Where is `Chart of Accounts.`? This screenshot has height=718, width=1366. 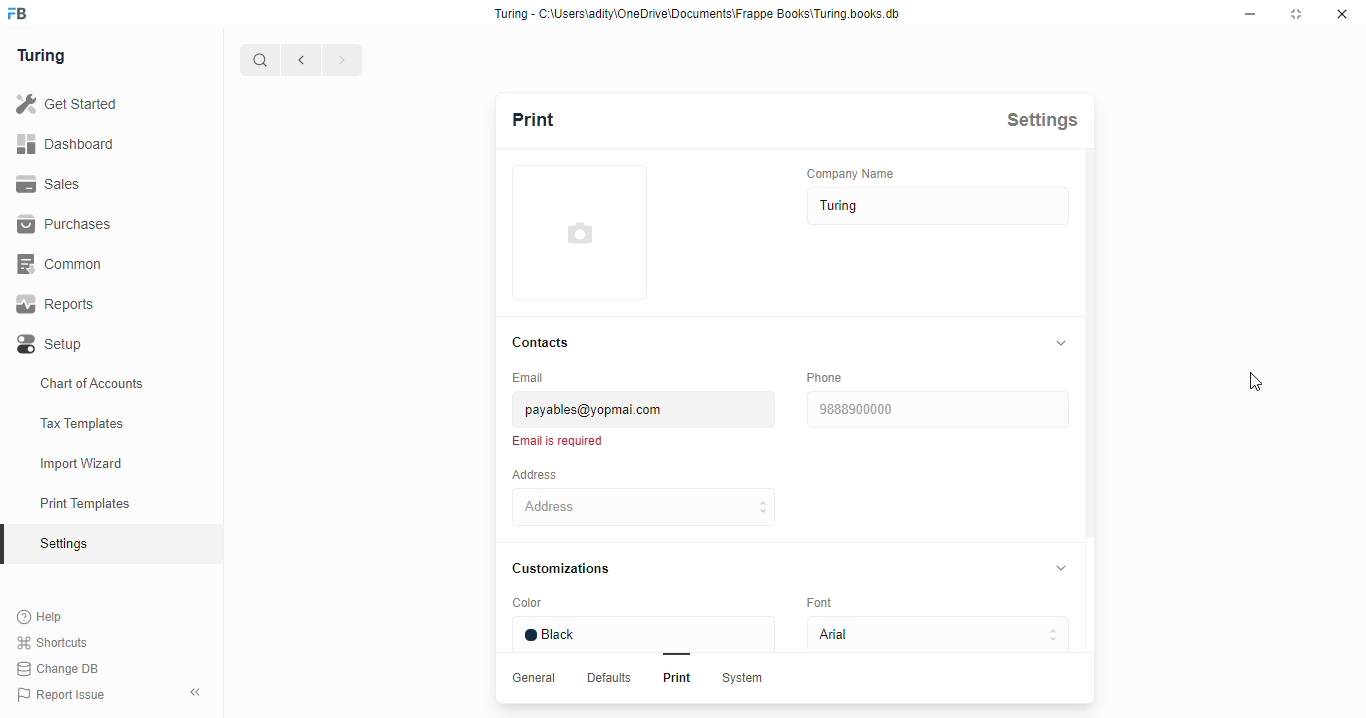 Chart of Accounts. is located at coordinates (109, 384).